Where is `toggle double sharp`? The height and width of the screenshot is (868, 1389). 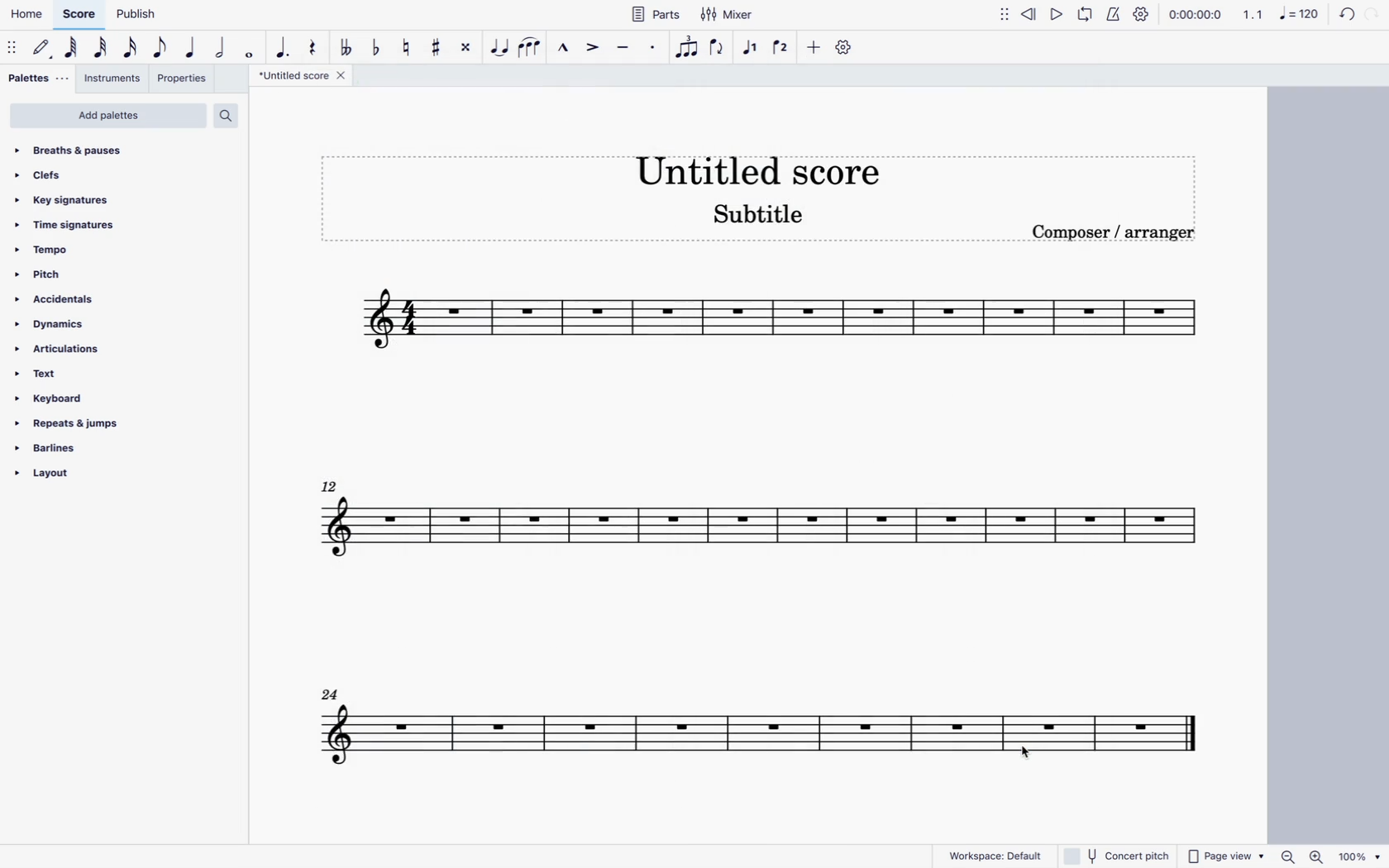
toggle double sharp is located at coordinates (467, 48).